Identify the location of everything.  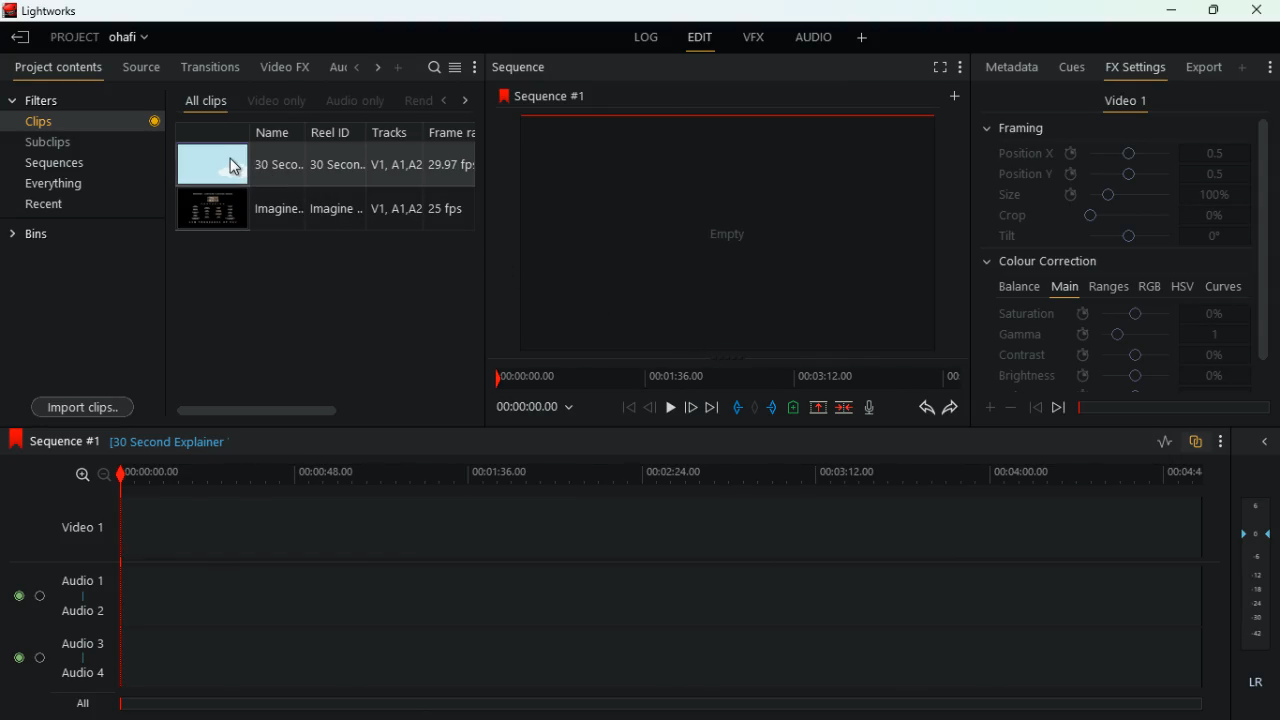
(71, 184).